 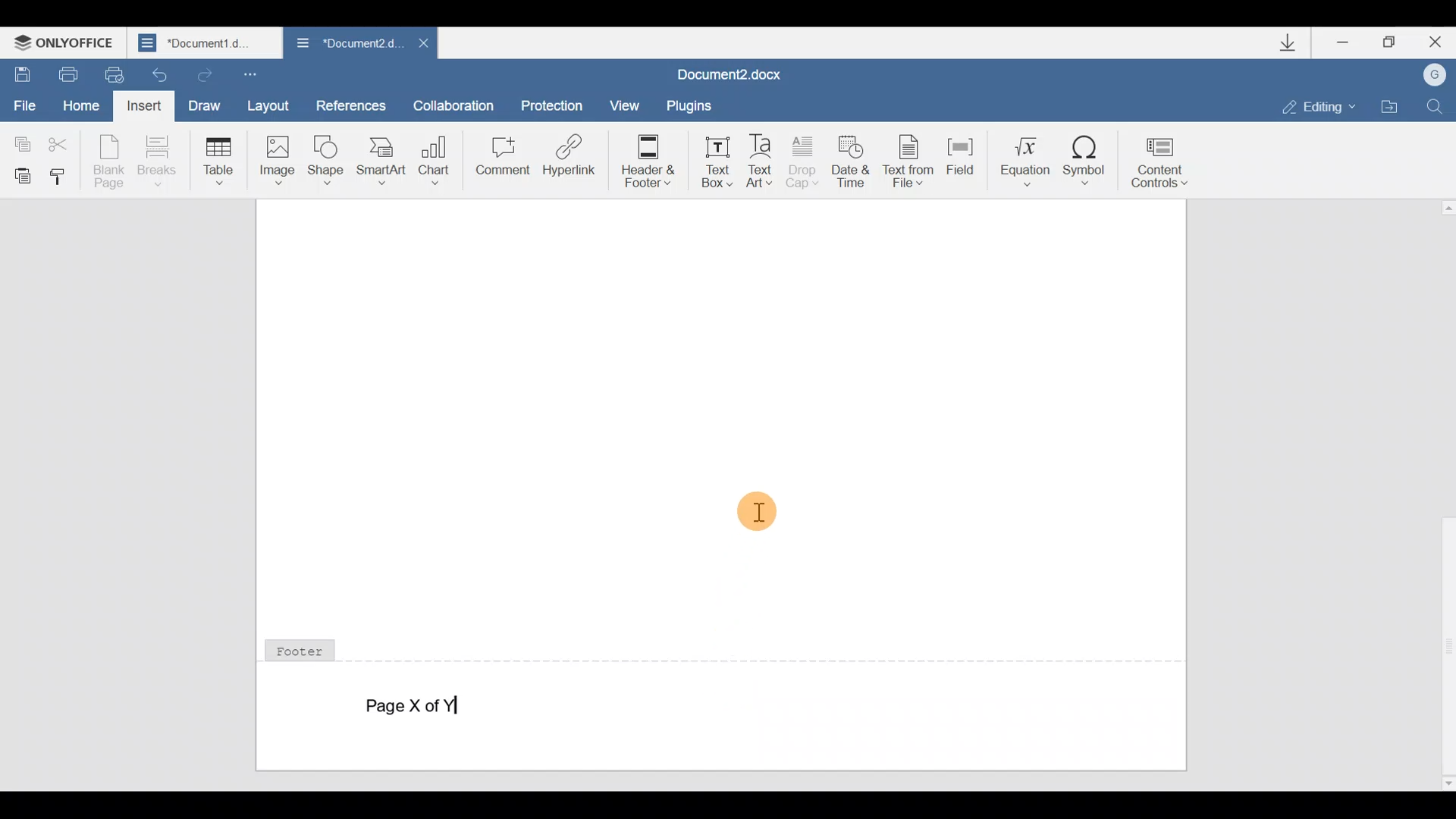 I want to click on Collaboration, so click(x=459, y=104).